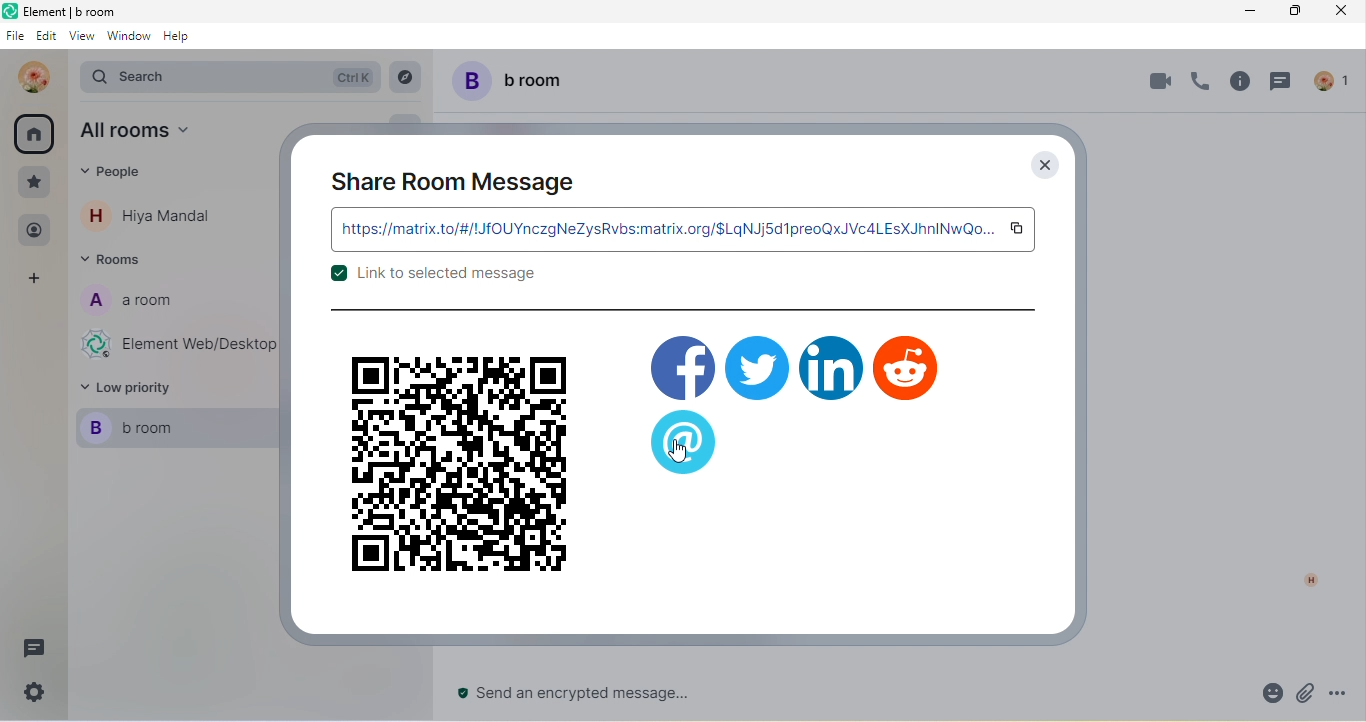  Describe the element at coordinates (143, 305) in the screenshot. I see `a room` at that location.